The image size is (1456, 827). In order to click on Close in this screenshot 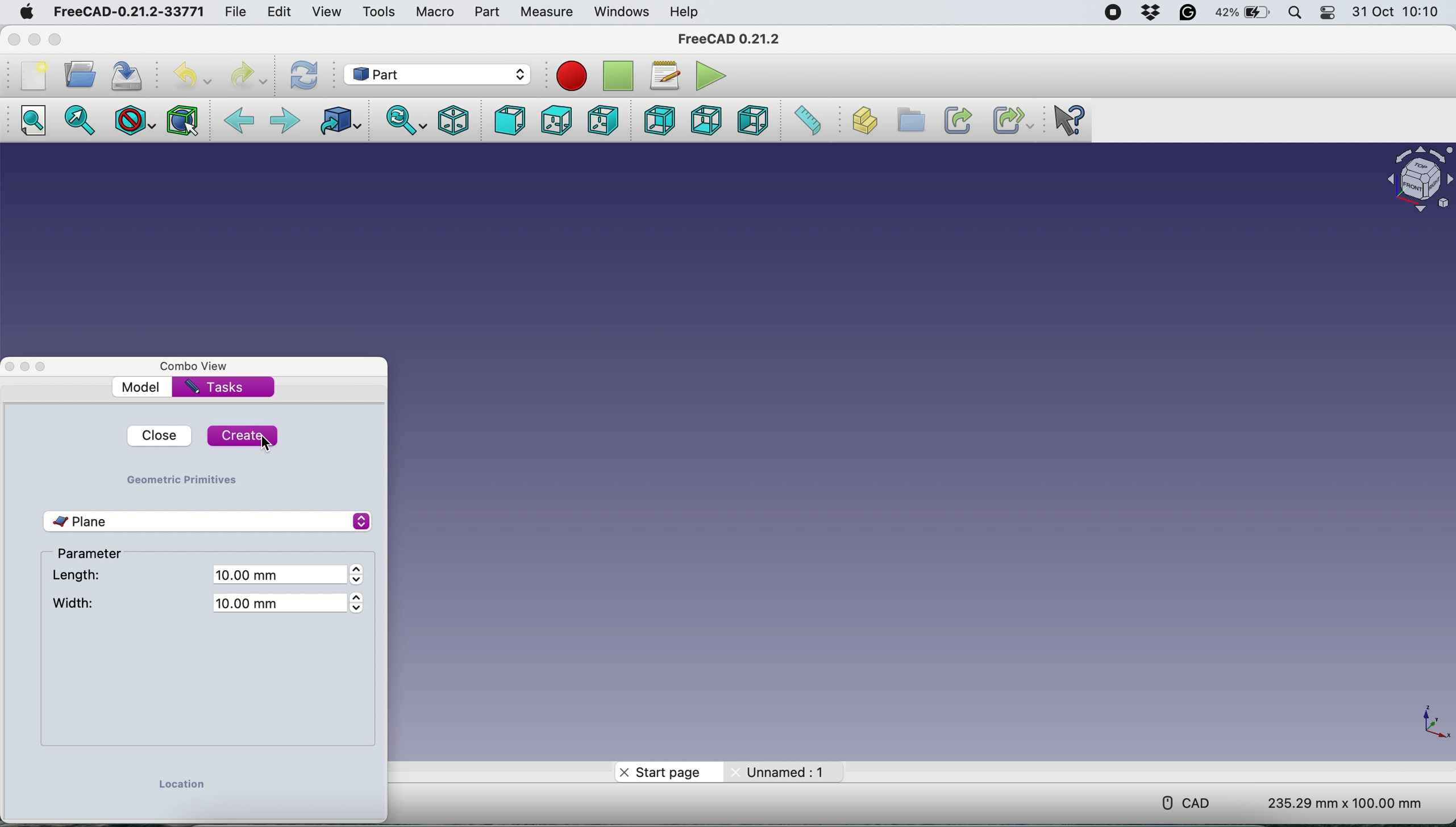, I will do `click(152, 436)`.